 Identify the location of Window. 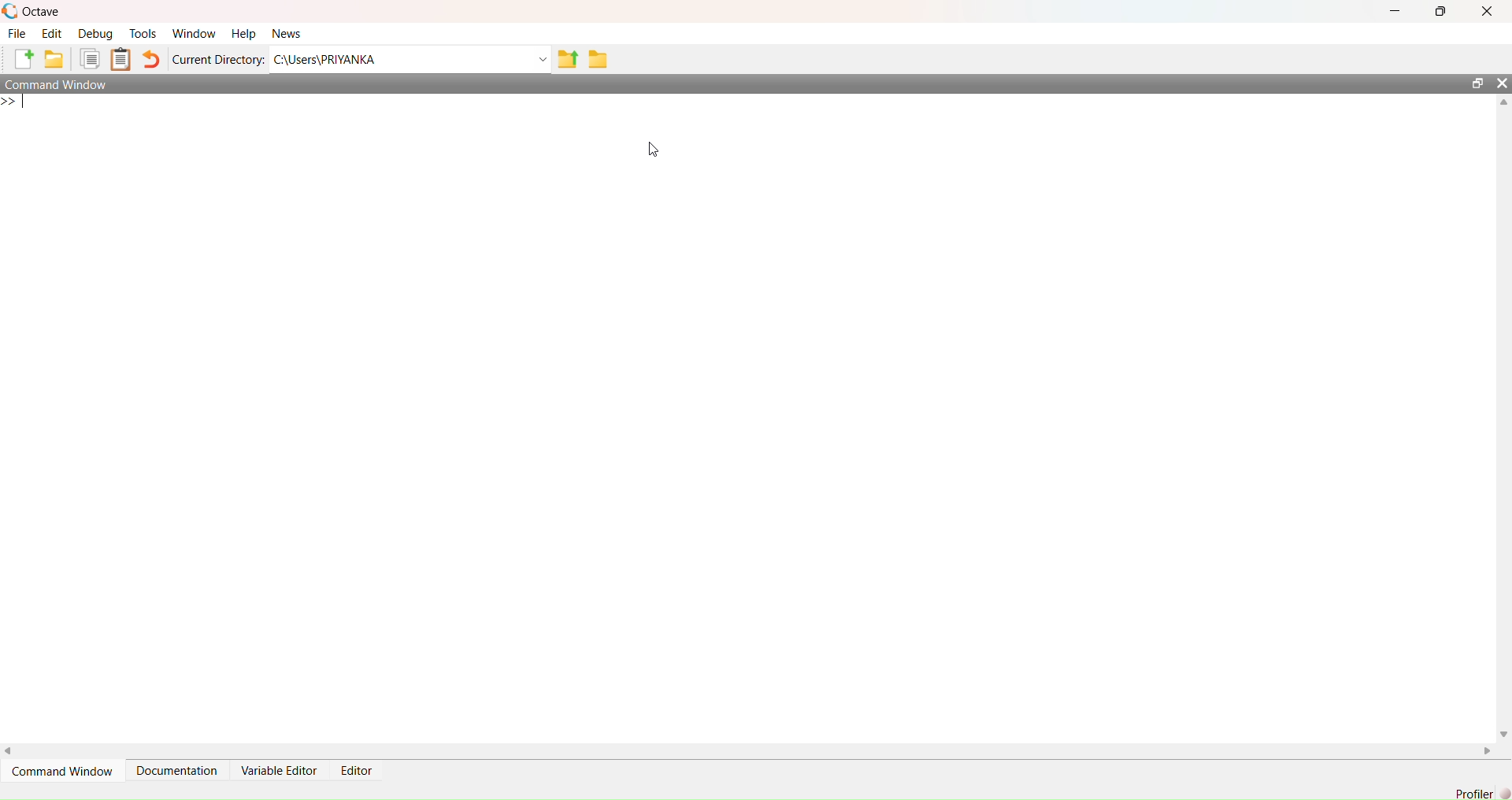
(193, 33).